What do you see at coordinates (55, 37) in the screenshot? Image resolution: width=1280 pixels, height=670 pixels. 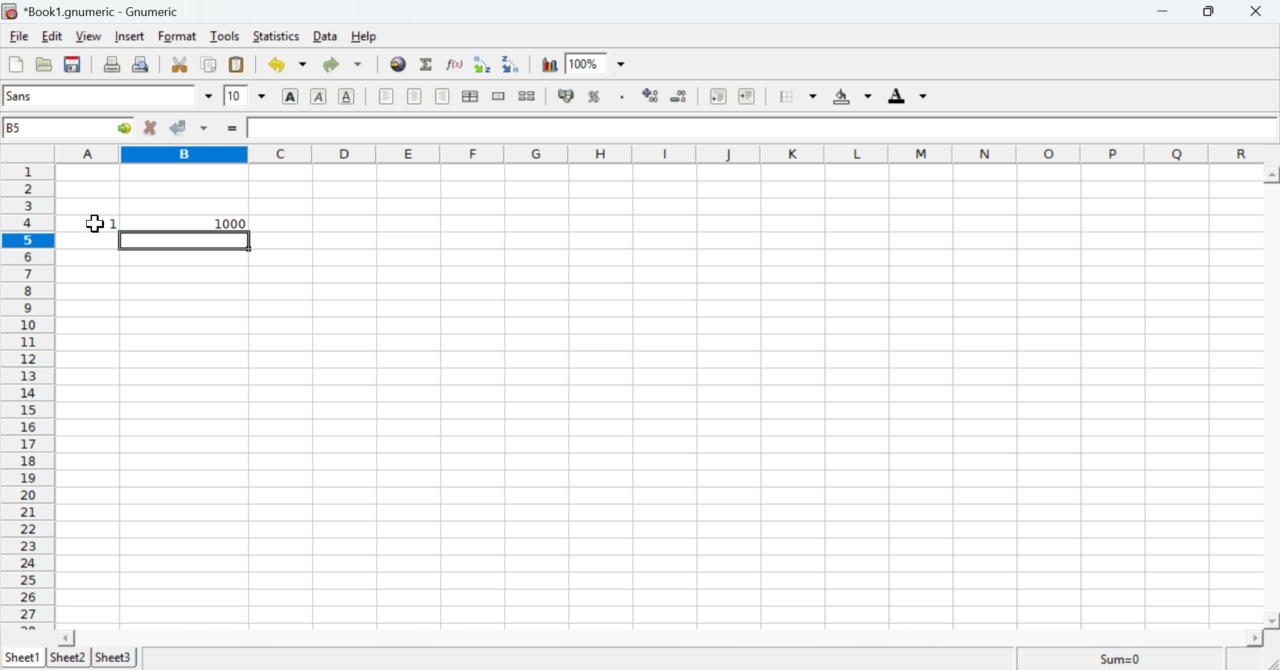 I see `Edit` at bounding box center [55, 37].